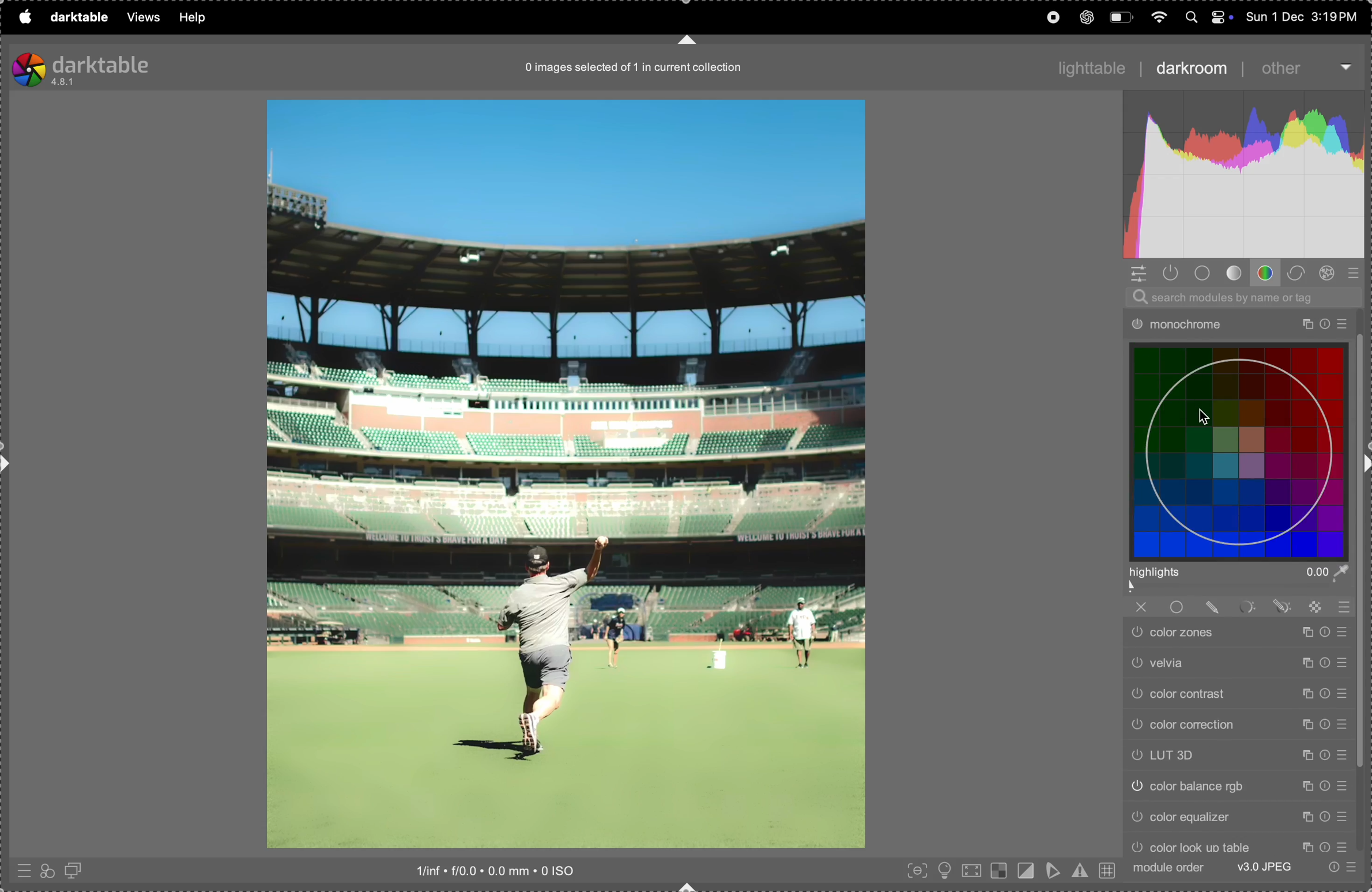 The image size is (1372, 892). What do you see at coordinates (47, 870) in the screenshot?
I see `quick acess for apply styles` at bounding box center [47, 870].